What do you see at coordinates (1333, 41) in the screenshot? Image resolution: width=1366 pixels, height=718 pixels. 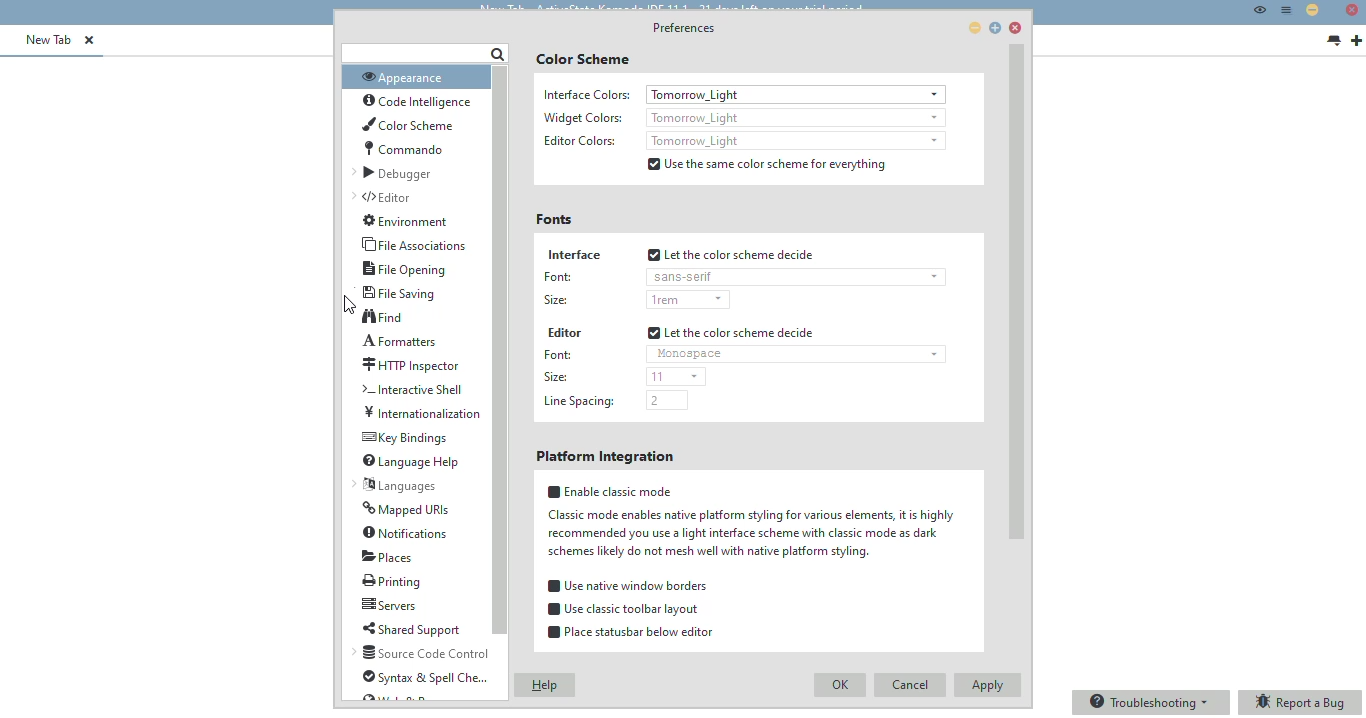 I see `list all tabs` at bounding box center [1333, 41].